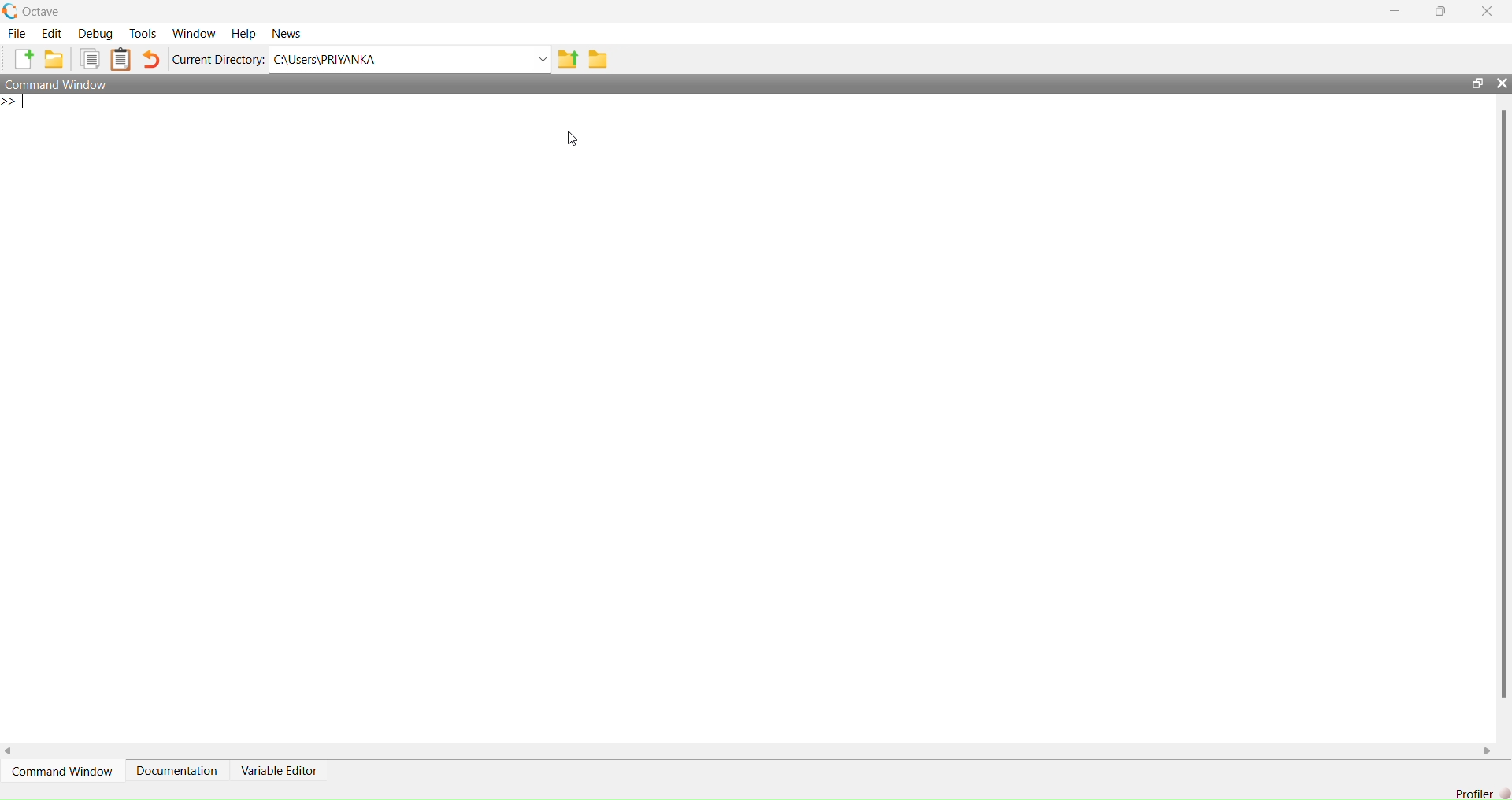  I want to click on minimise, so click(1399, 9).